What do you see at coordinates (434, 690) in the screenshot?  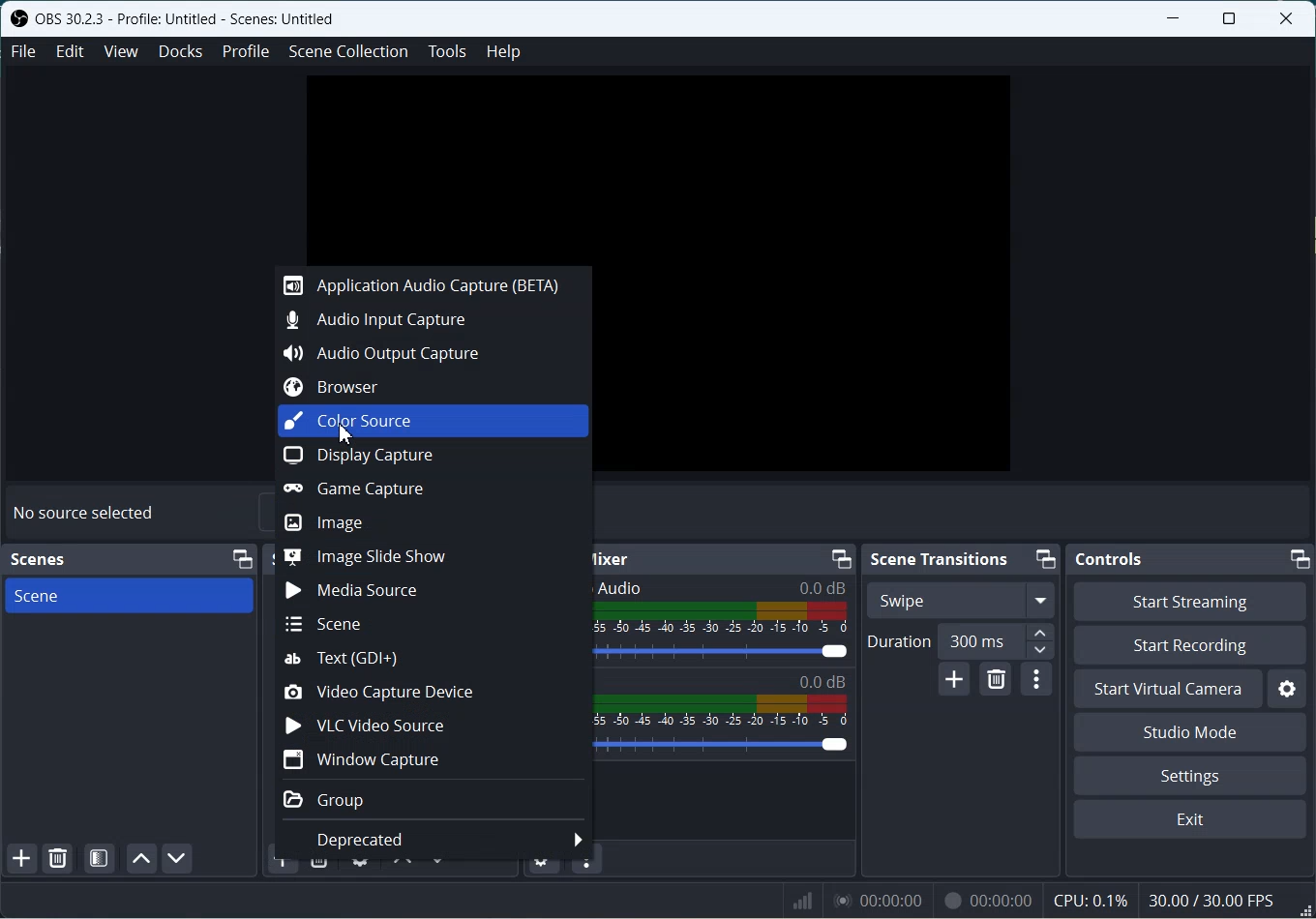 I see `Video Capture Devices` at bounding box center [434, 690].